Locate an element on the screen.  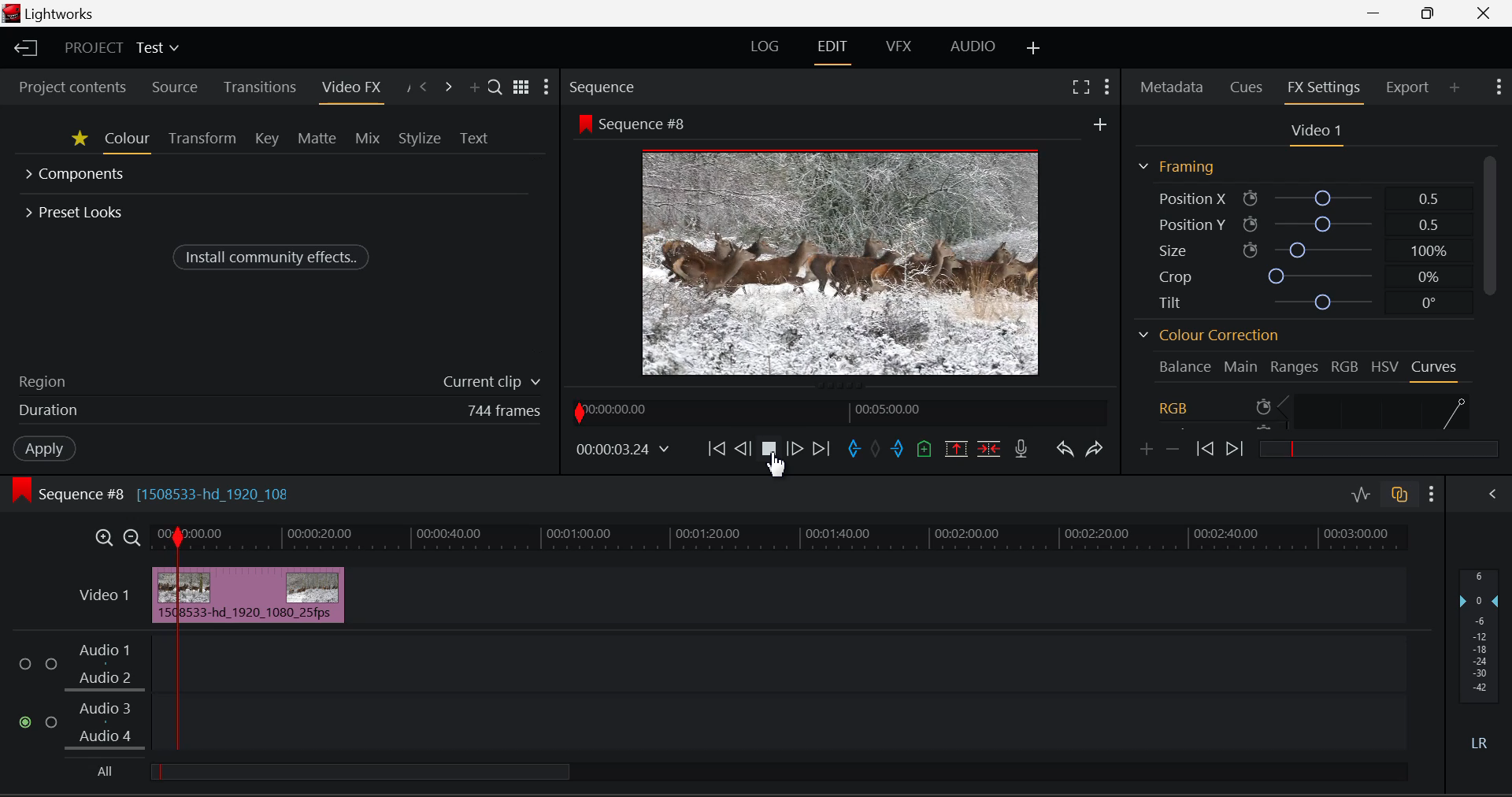
Stylize is located at coordinates (419, 137).